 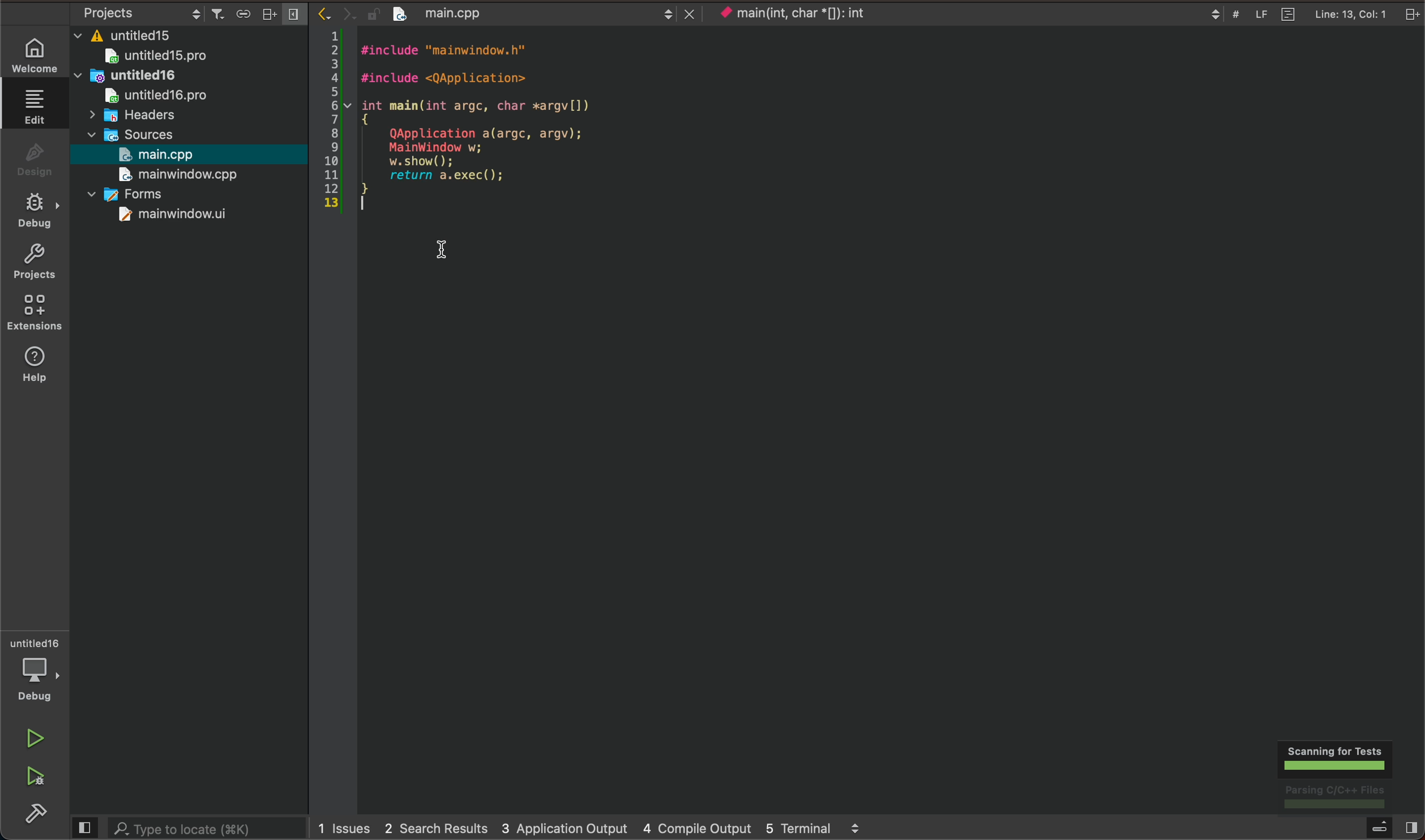 I want to click on run , so click(x=38, y=739).